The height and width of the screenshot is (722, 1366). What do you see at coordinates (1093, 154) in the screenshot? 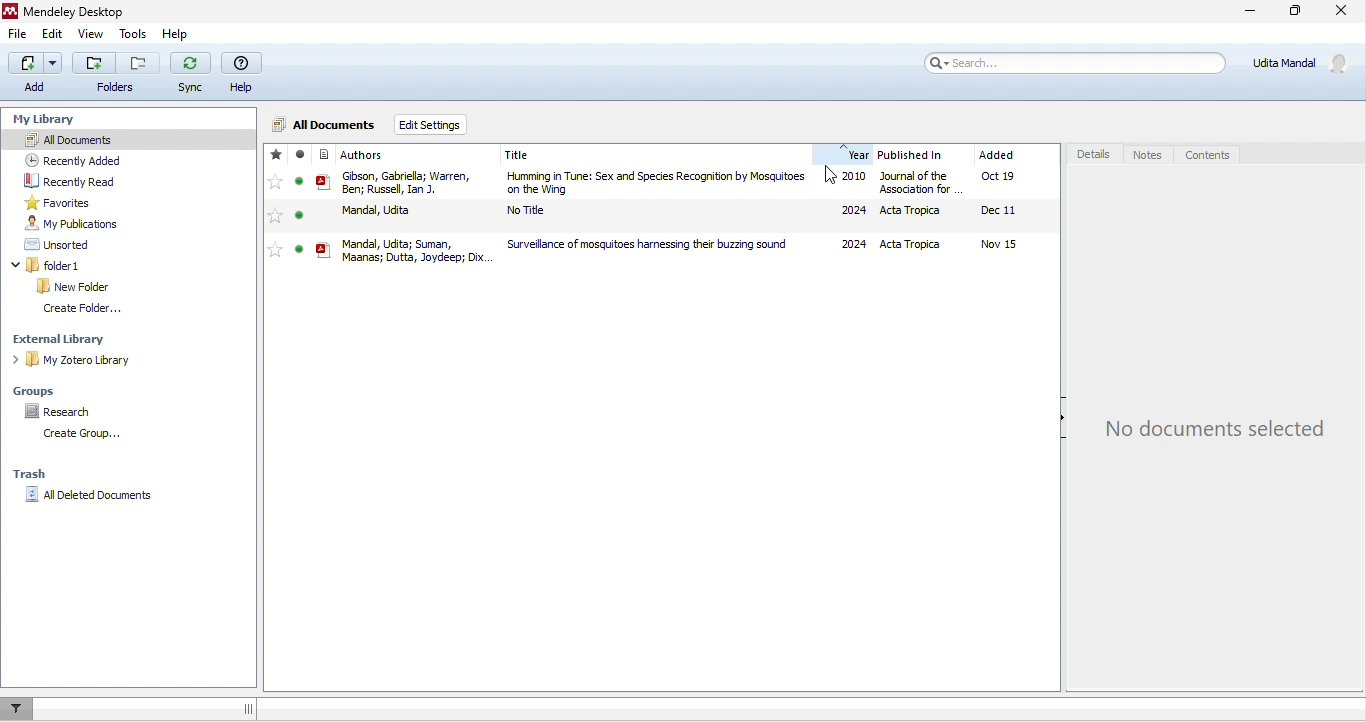
I see `details ` at bounding box center [1093, 154].